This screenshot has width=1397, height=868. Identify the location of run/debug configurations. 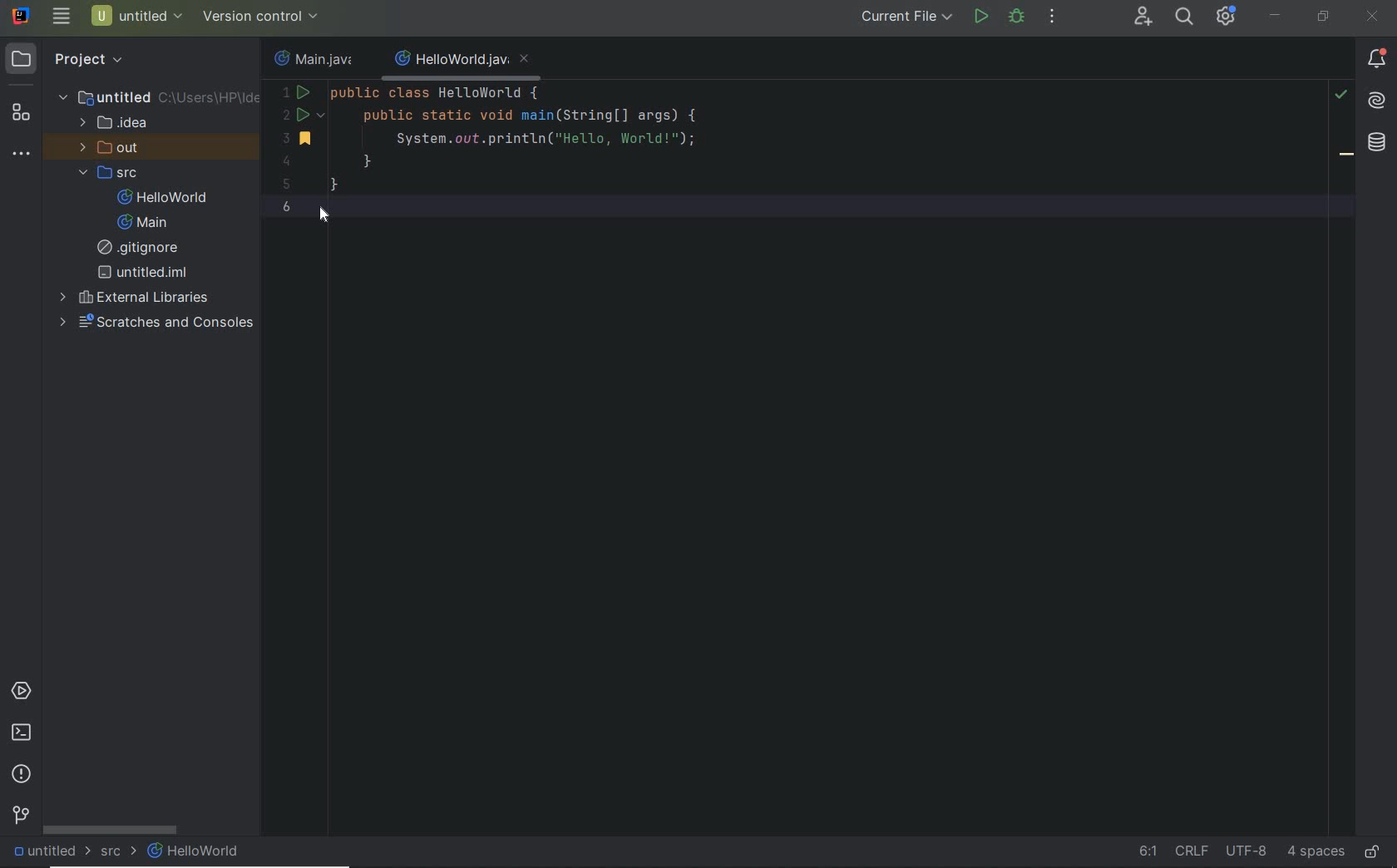
(909, 17).